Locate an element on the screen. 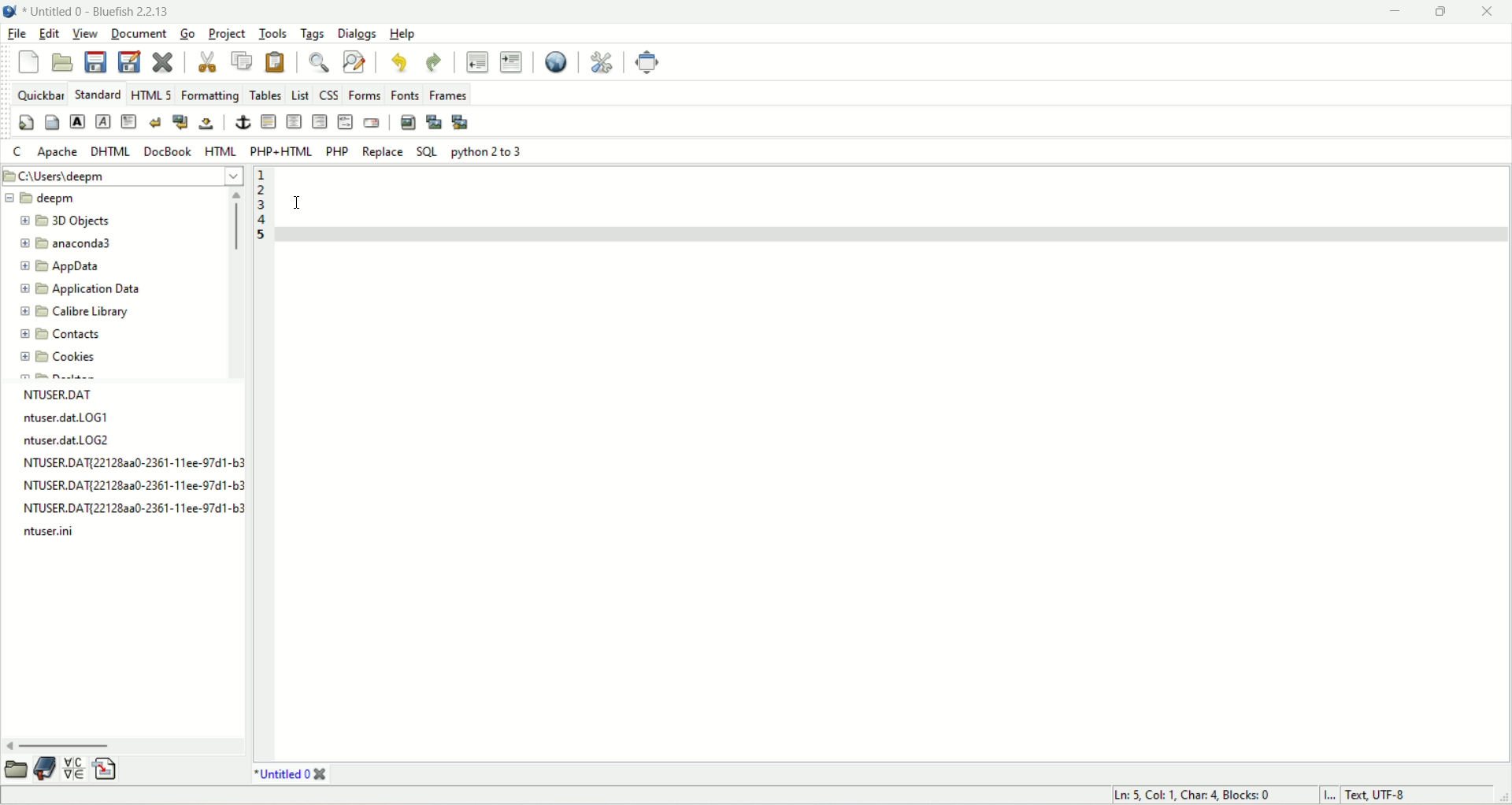 This screenshot has height=805, width=1512. save file as is located at coordinates (130, 63).